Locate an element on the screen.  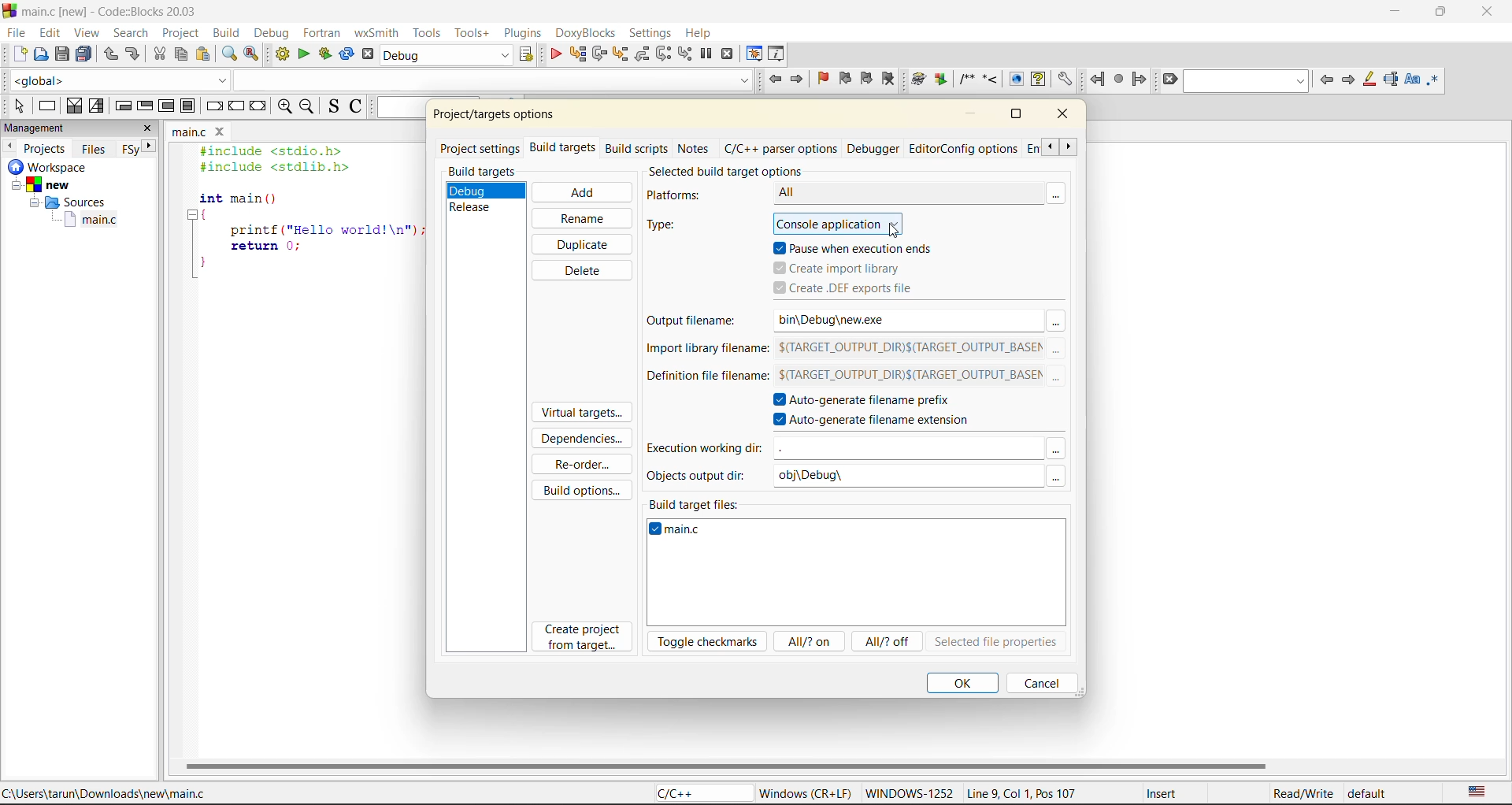
run to cursor is located at coordinates (577, 53).